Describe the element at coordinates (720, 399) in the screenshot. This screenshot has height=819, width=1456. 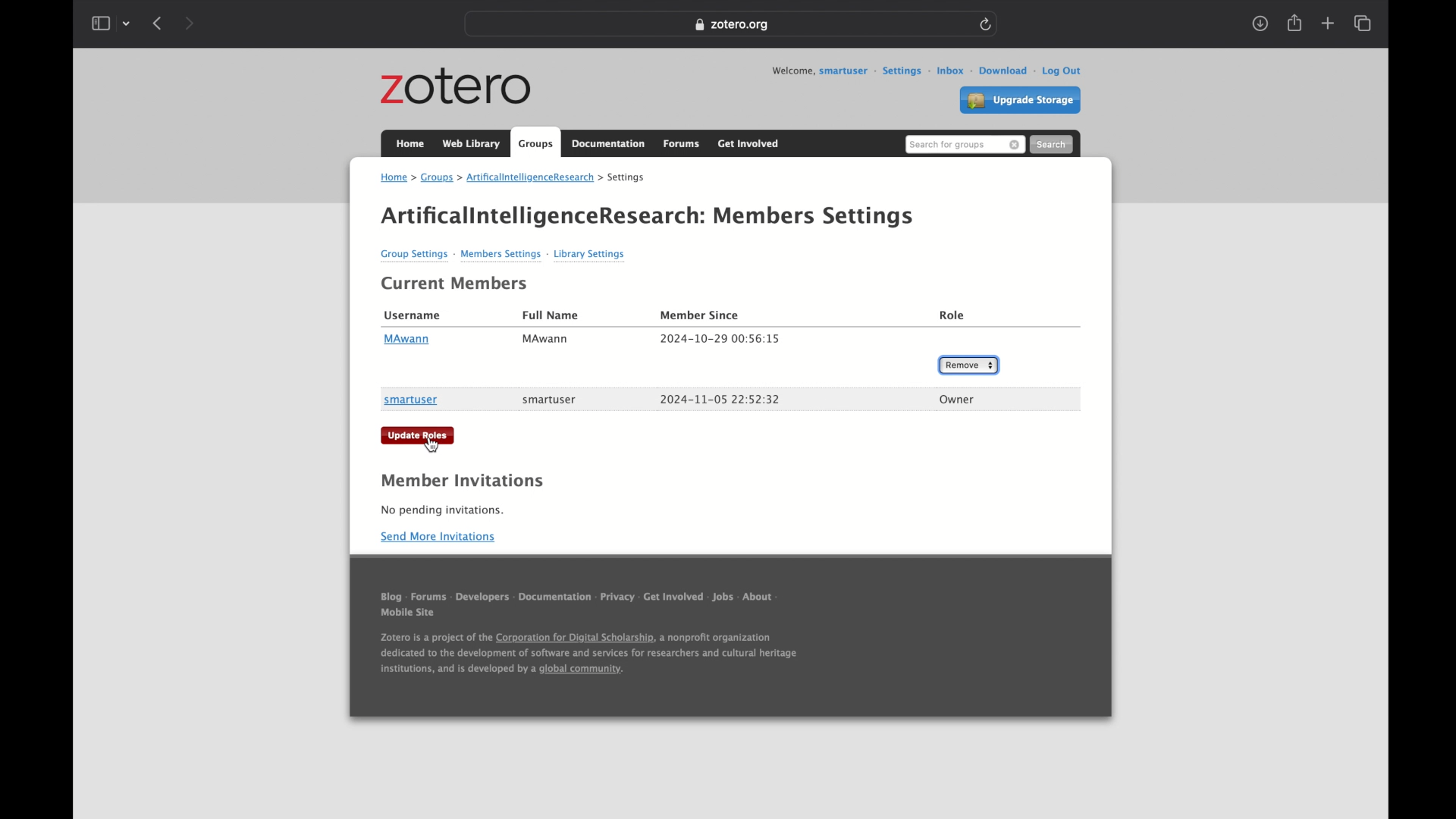
I see `member since date` at that location.